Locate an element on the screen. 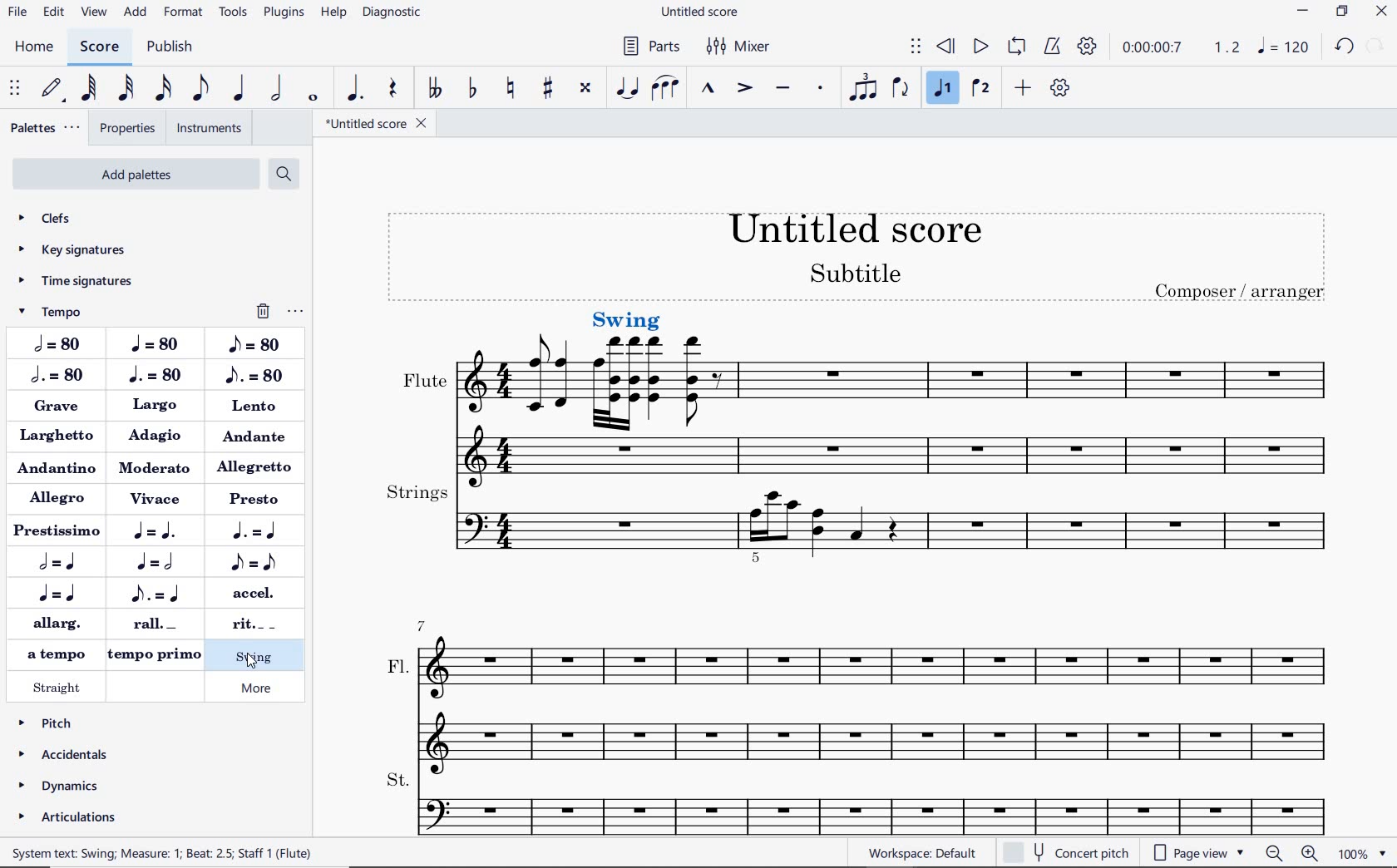 The width and height of the screenshot is (1397, 868). ANDANTE is located at coordinates (257, 437).